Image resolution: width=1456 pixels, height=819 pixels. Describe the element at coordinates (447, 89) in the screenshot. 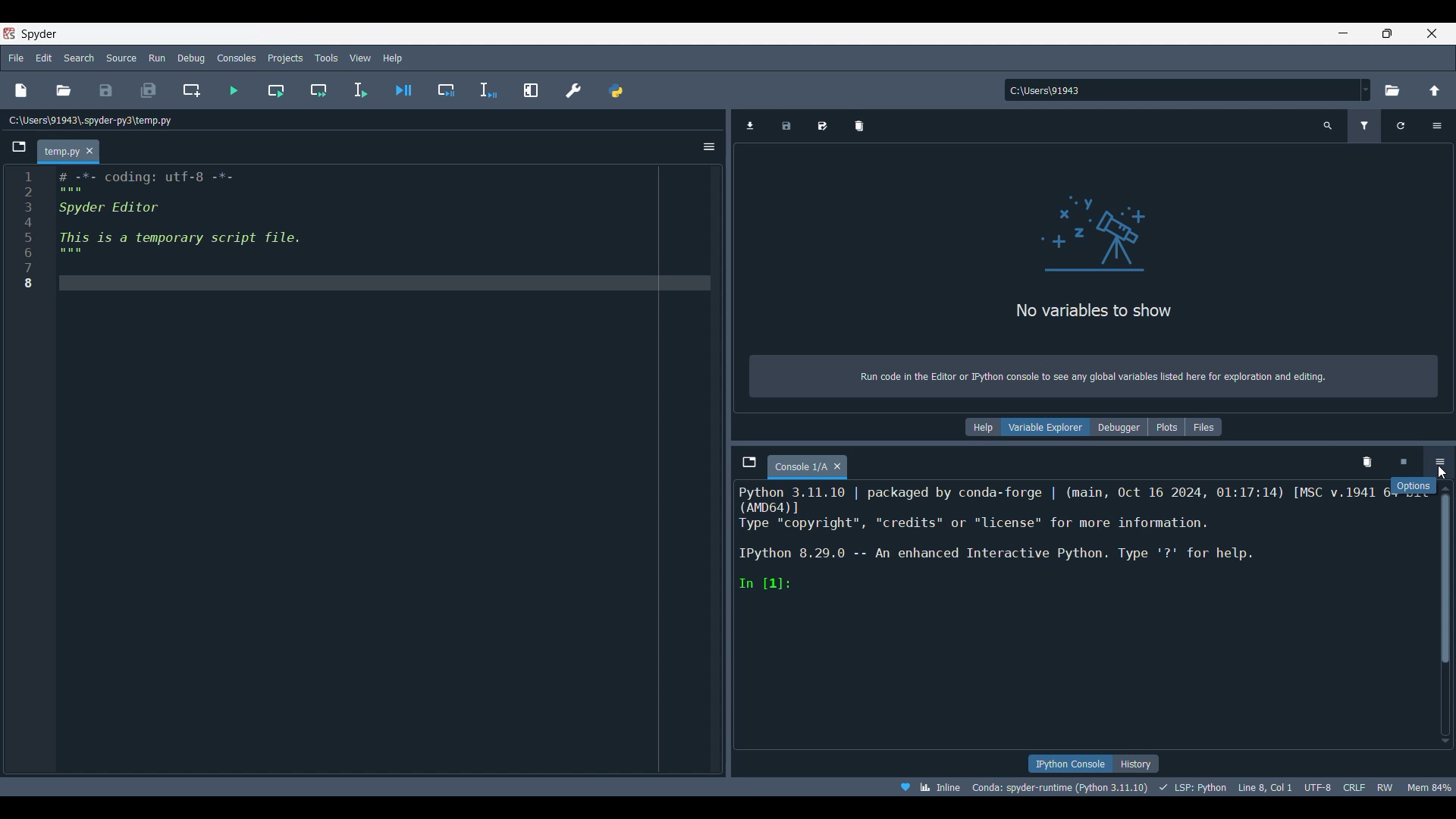

I see `Debug cell` at that location.